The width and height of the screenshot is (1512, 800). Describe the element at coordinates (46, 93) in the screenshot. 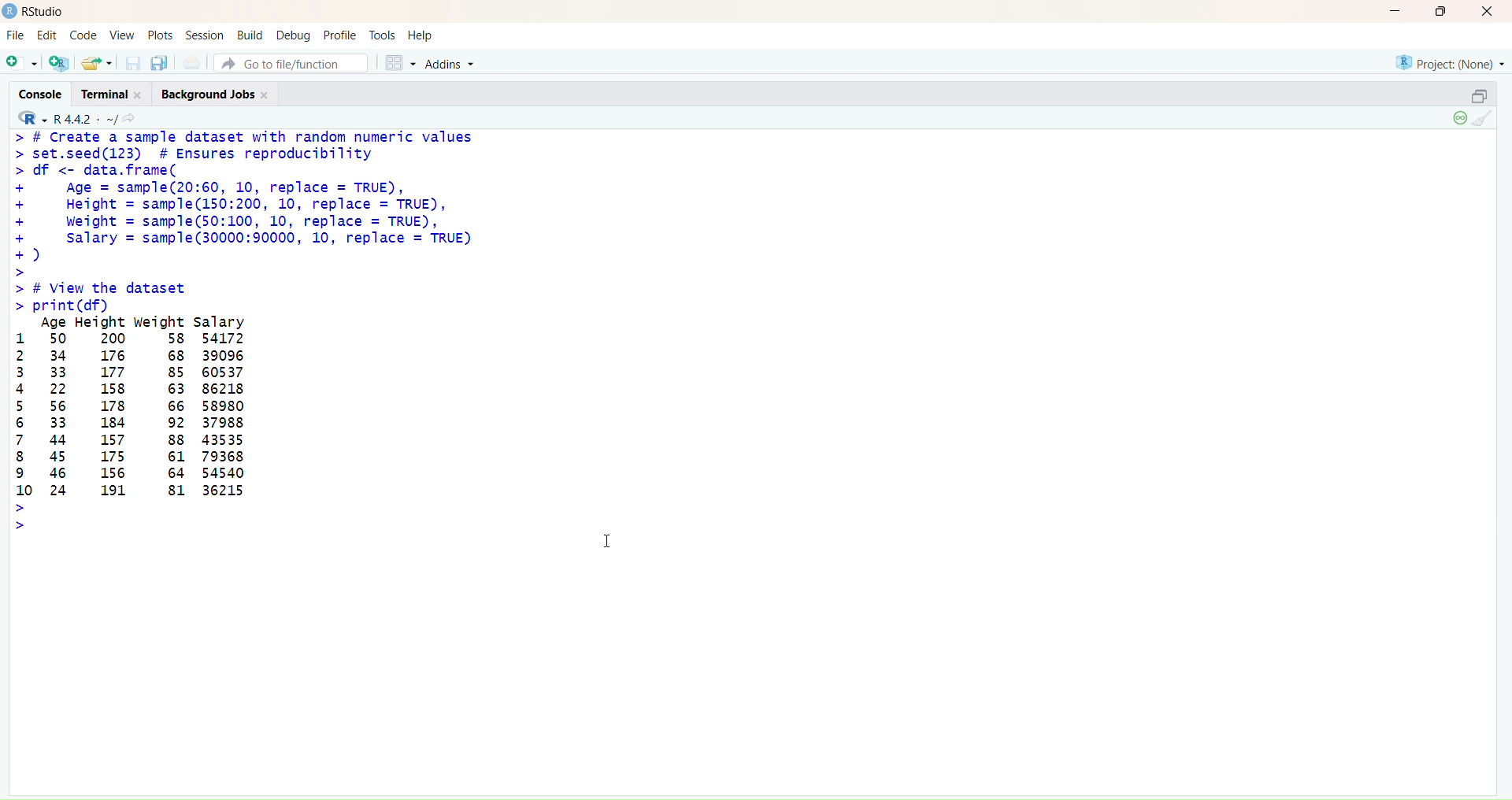

I see `Console` at that location.